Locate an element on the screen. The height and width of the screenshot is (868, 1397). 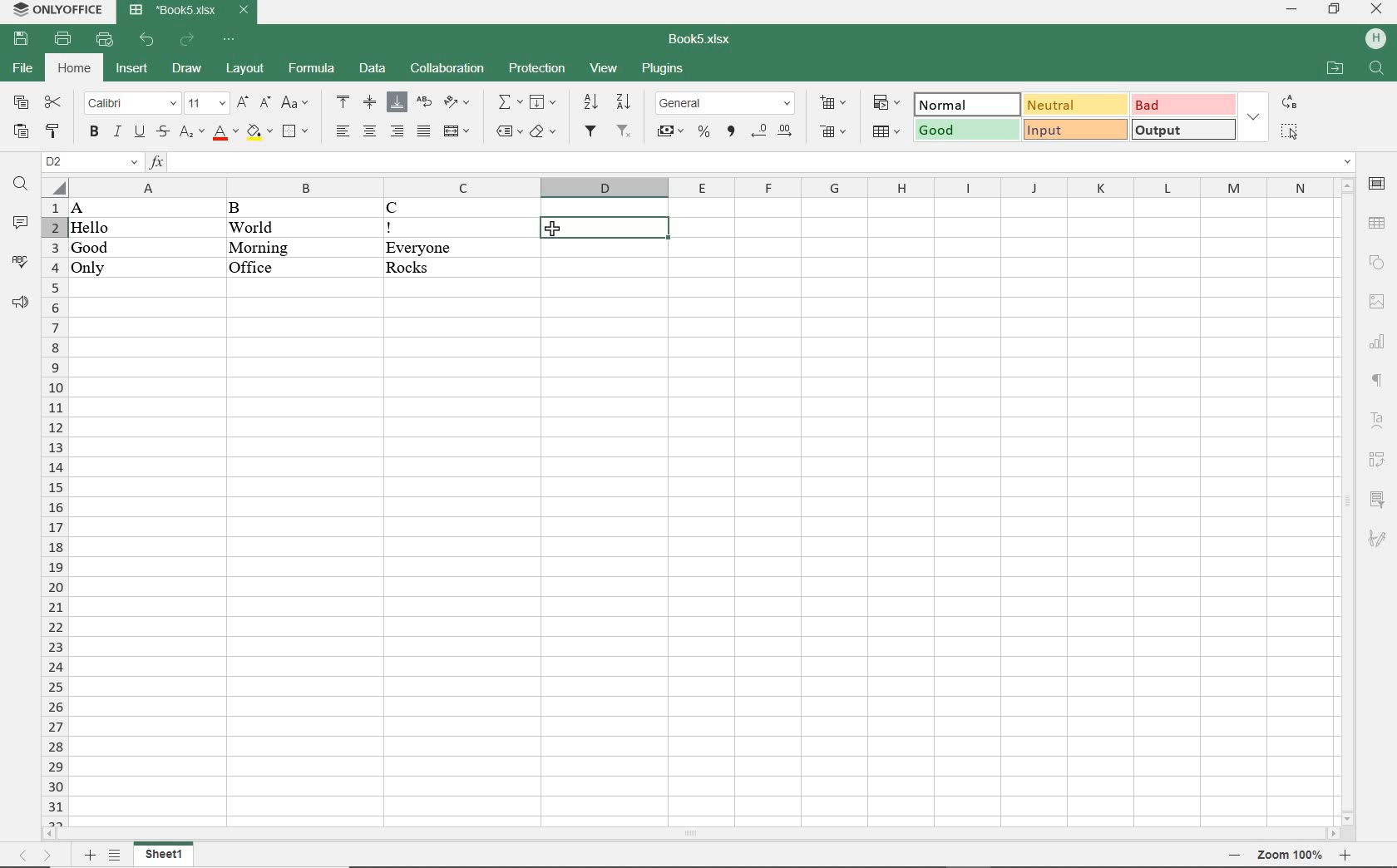
accounting style is located at coordinates (671, 133).